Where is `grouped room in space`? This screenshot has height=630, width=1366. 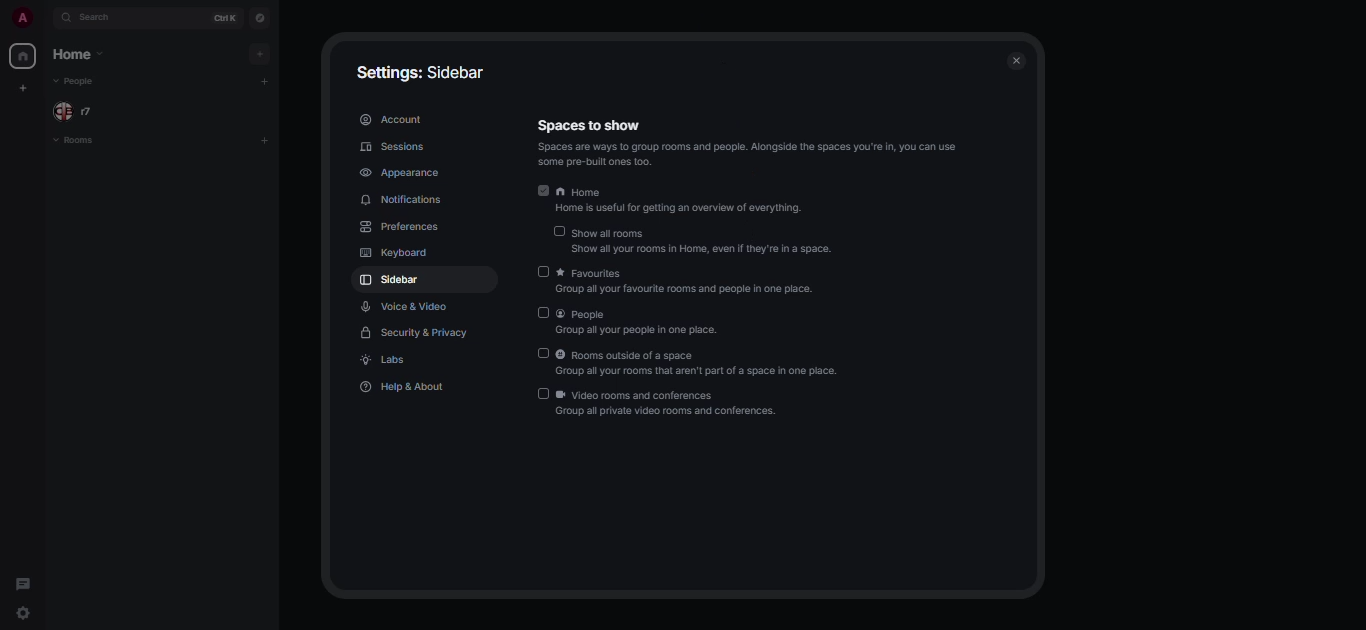 grouped room in space is located at coordinates (22, 88).